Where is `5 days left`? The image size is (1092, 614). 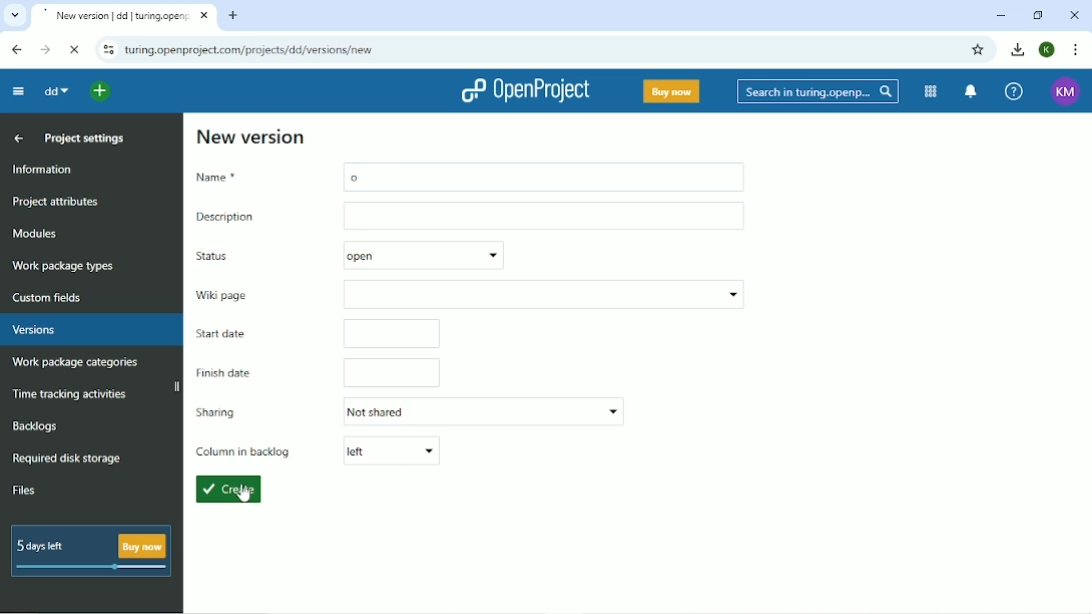 5 days left is located at coordinates (89, 552).